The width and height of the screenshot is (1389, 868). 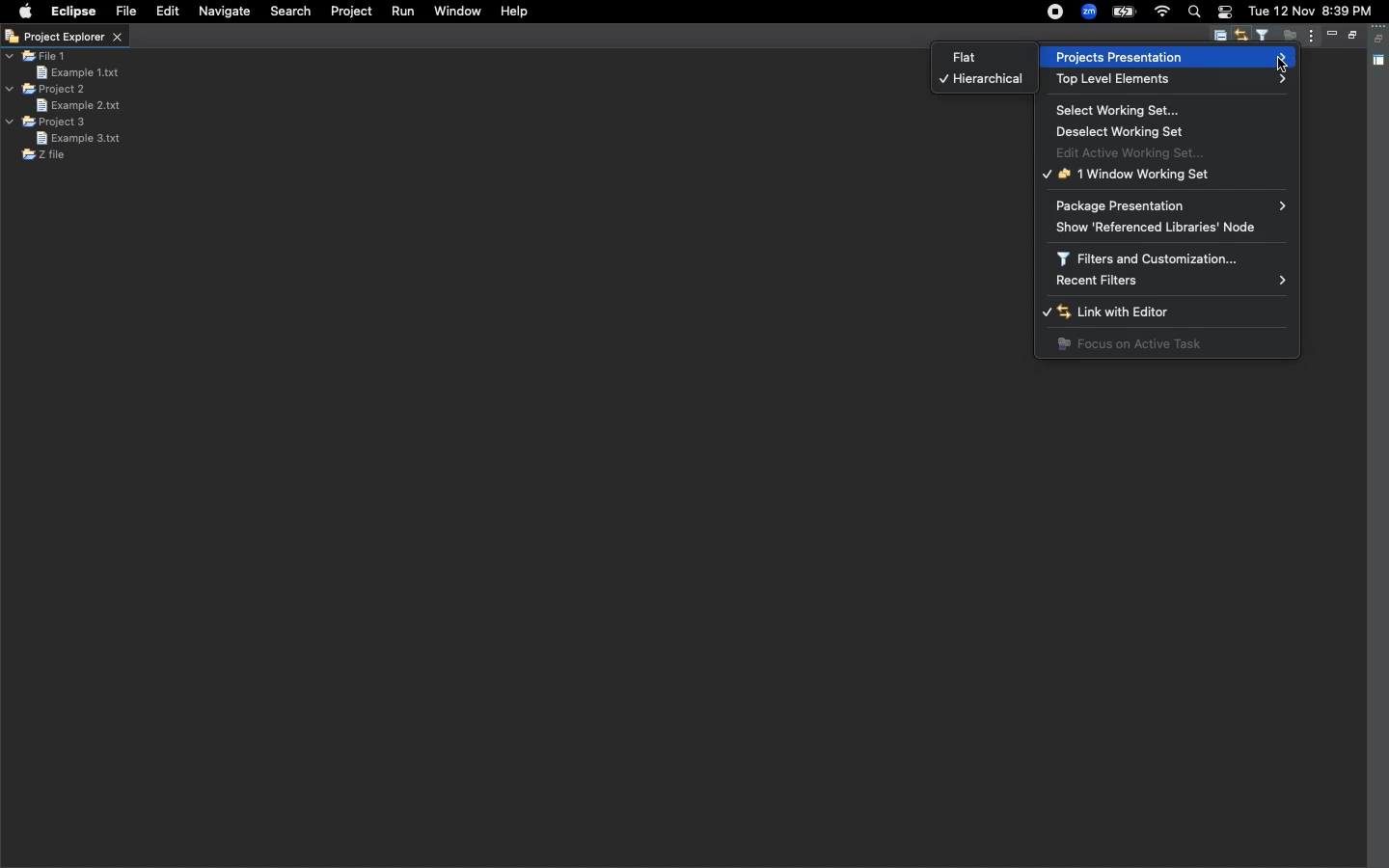 What do you see at coordinates (1225, 13) in the screenshot?
I see `Notification` at bounding box center [1225, 13].